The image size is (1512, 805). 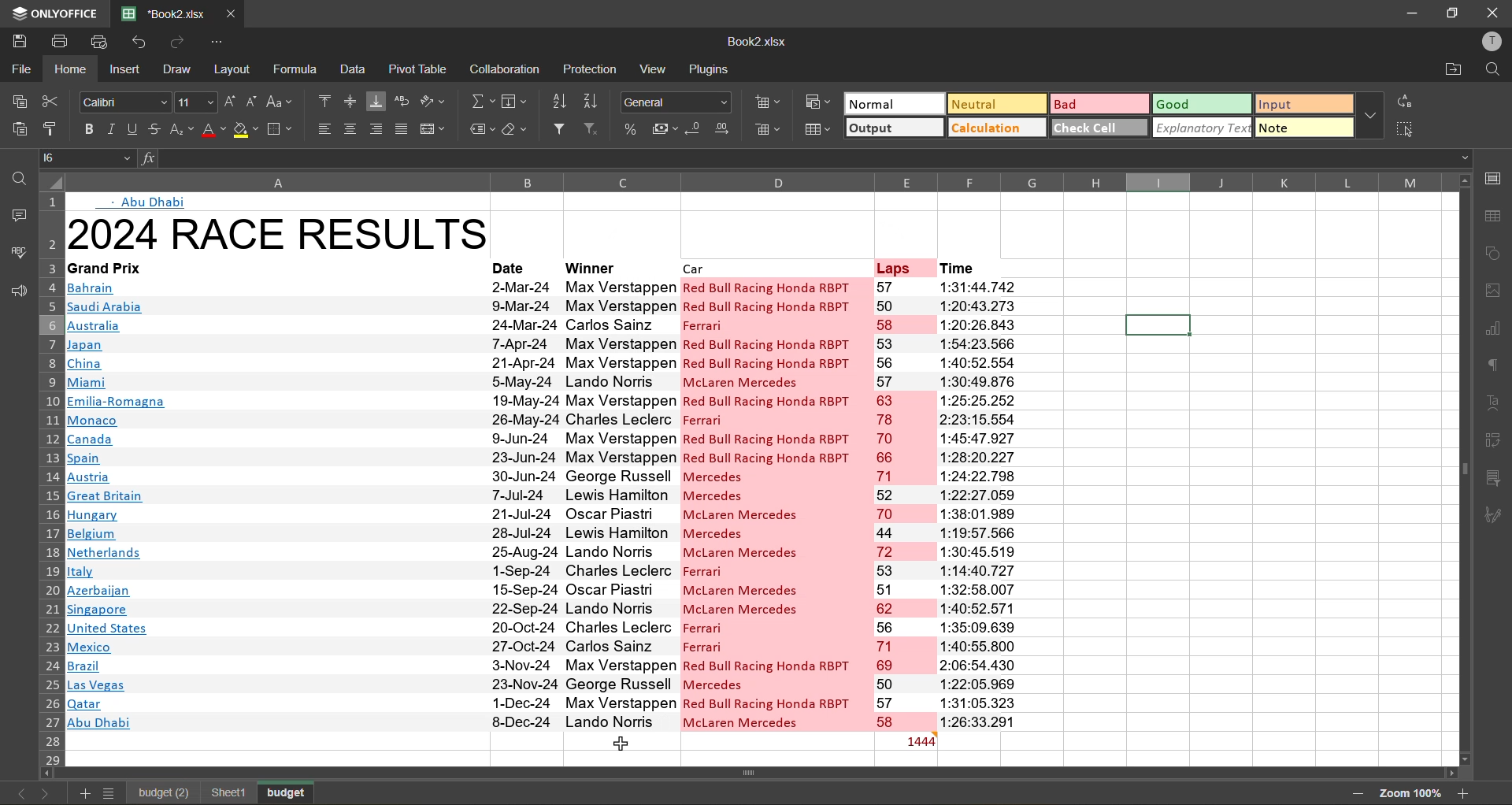 I want to click on pivot table, so click(x=420, y=68).